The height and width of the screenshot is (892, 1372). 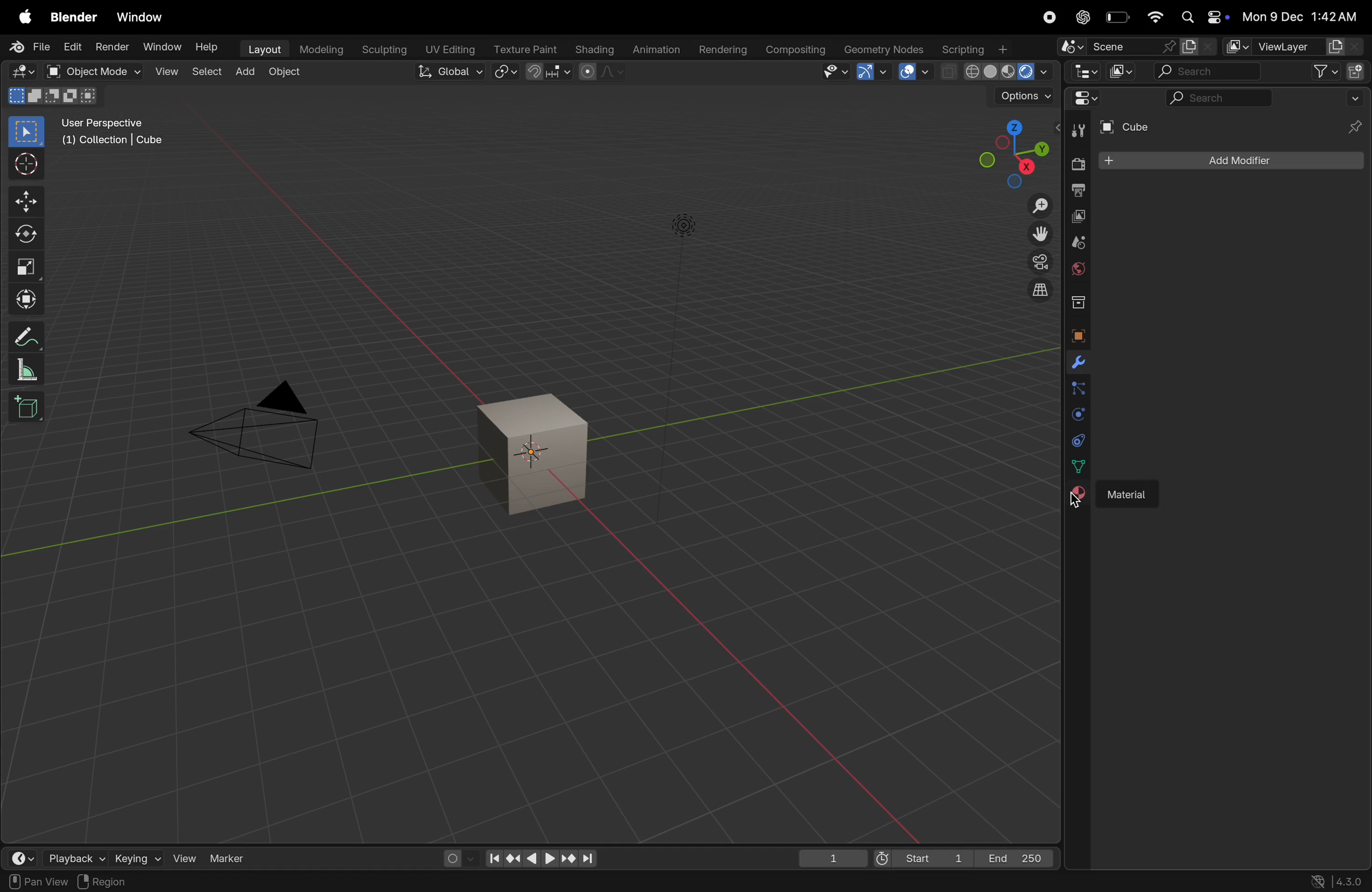 What do you see at coordinates (1006, 150) in the screenshot?
I see `view point` at bounding box center [1006, 150].